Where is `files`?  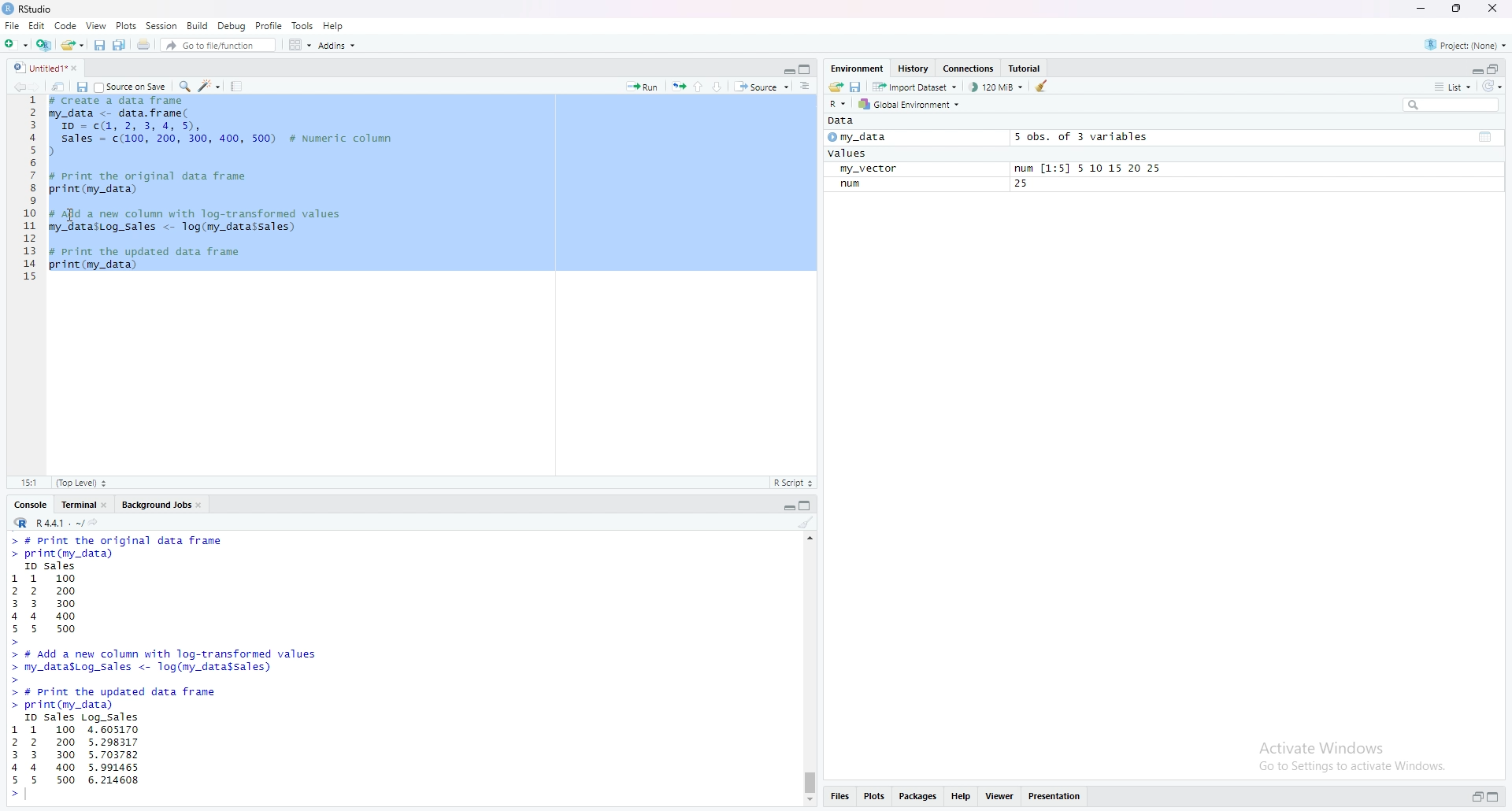 files is located at coordinates (844, 798).